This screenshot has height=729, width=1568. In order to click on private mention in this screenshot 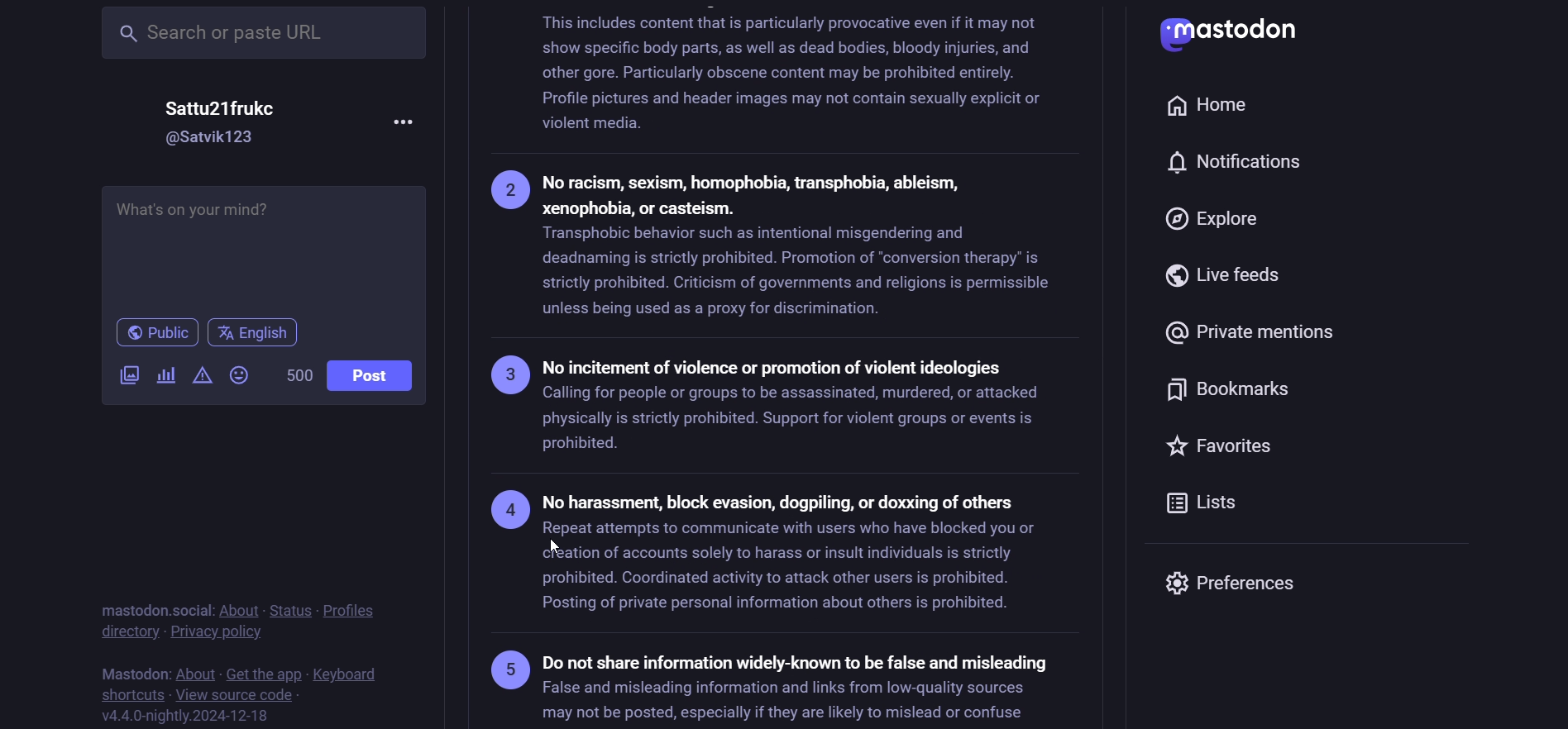, I will do `click(1262, 327)`.